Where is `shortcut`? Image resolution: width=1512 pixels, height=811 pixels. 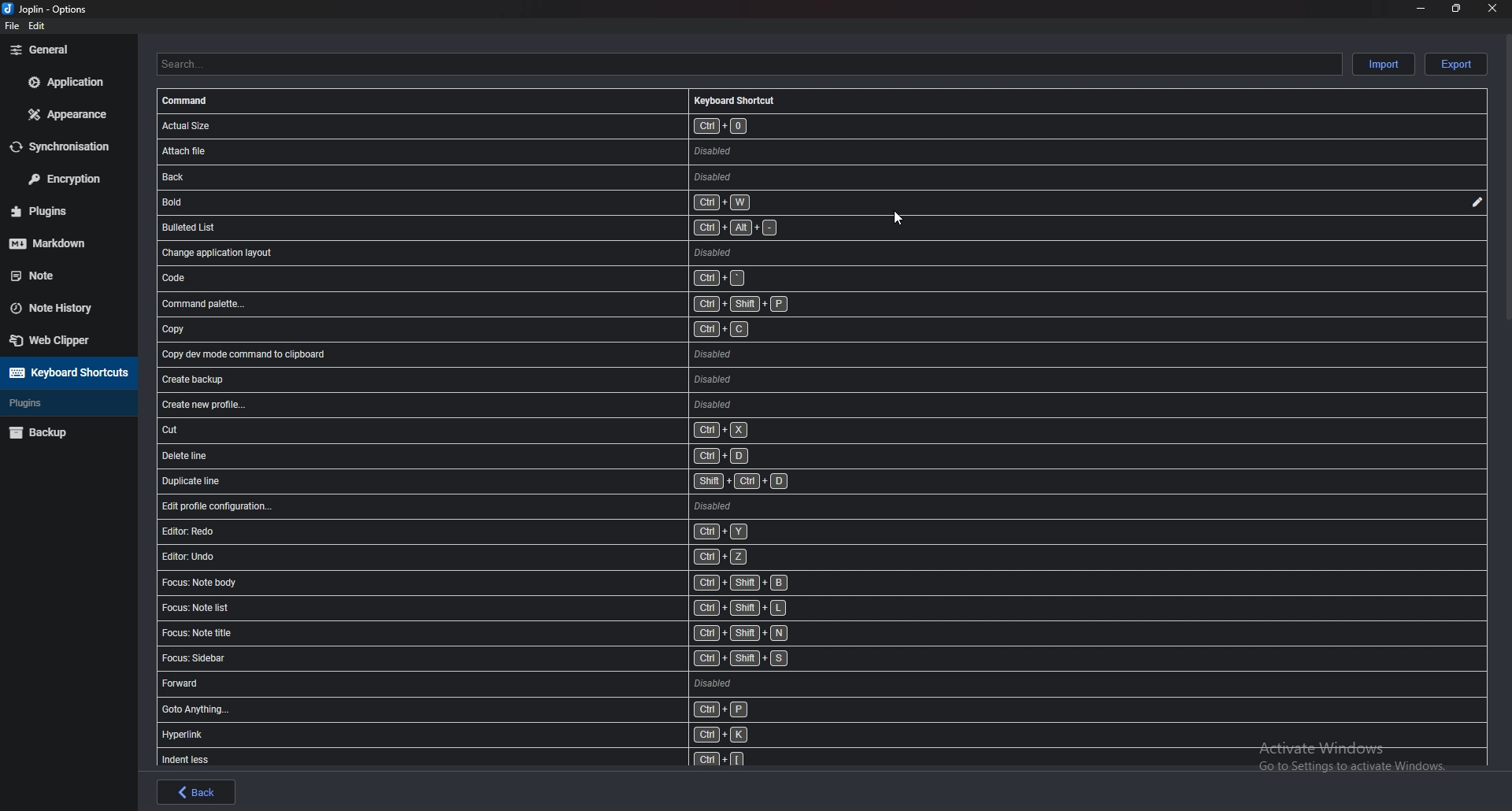 shortcut is located at coordinates (469, 202).